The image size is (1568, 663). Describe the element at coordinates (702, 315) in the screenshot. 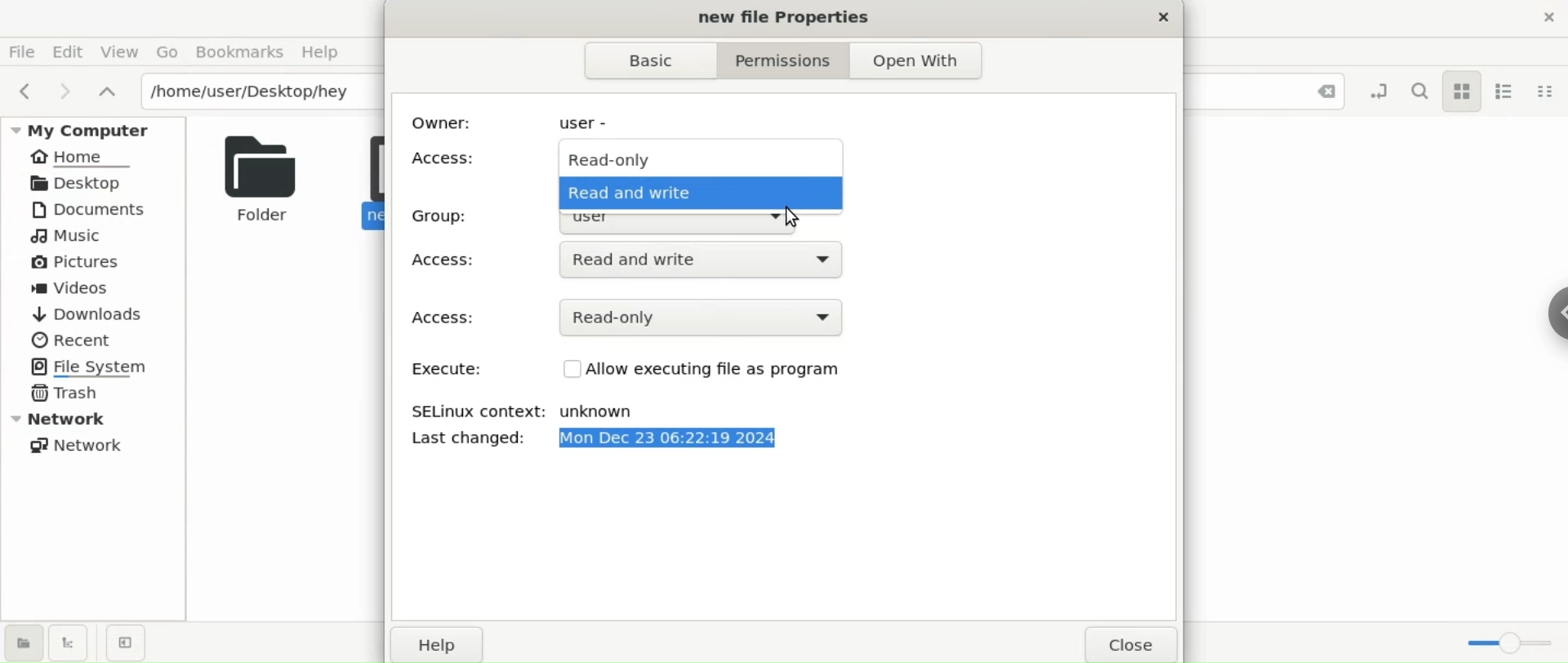

I see `Read-only ` at that location.